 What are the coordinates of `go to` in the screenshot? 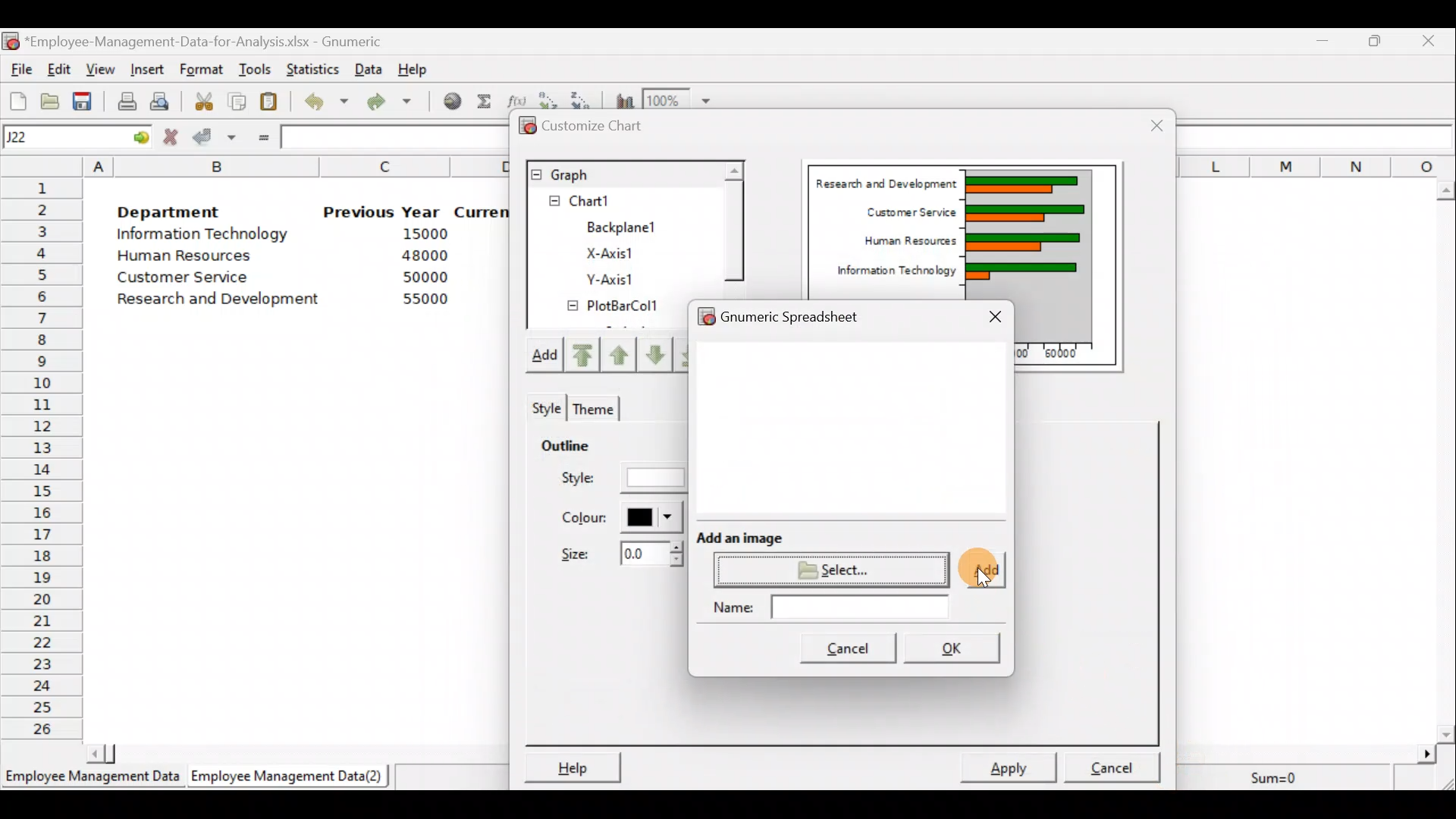 It's located at (140, 137).